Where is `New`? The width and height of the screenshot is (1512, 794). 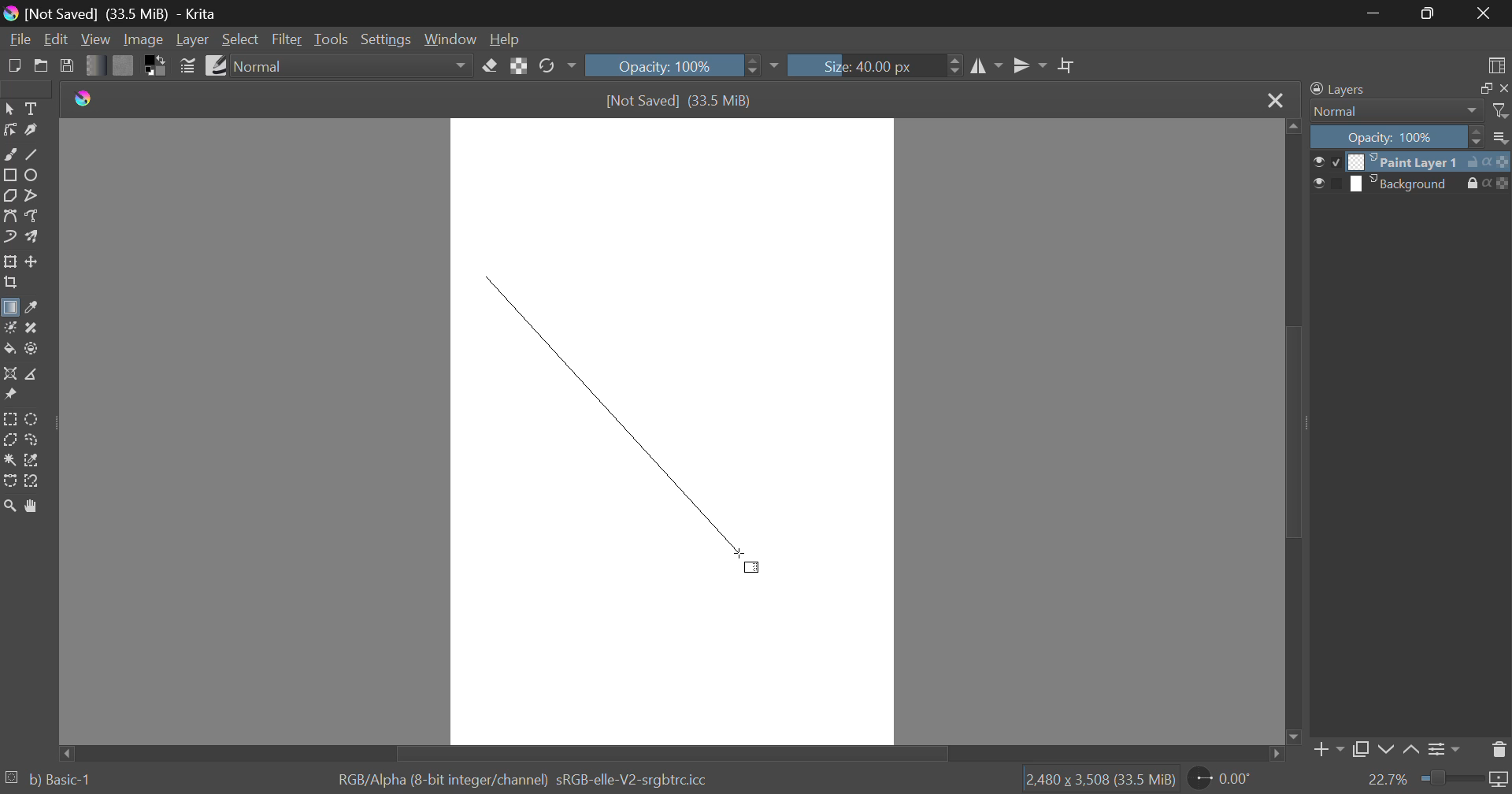 New is located at coordinates (13, 64).